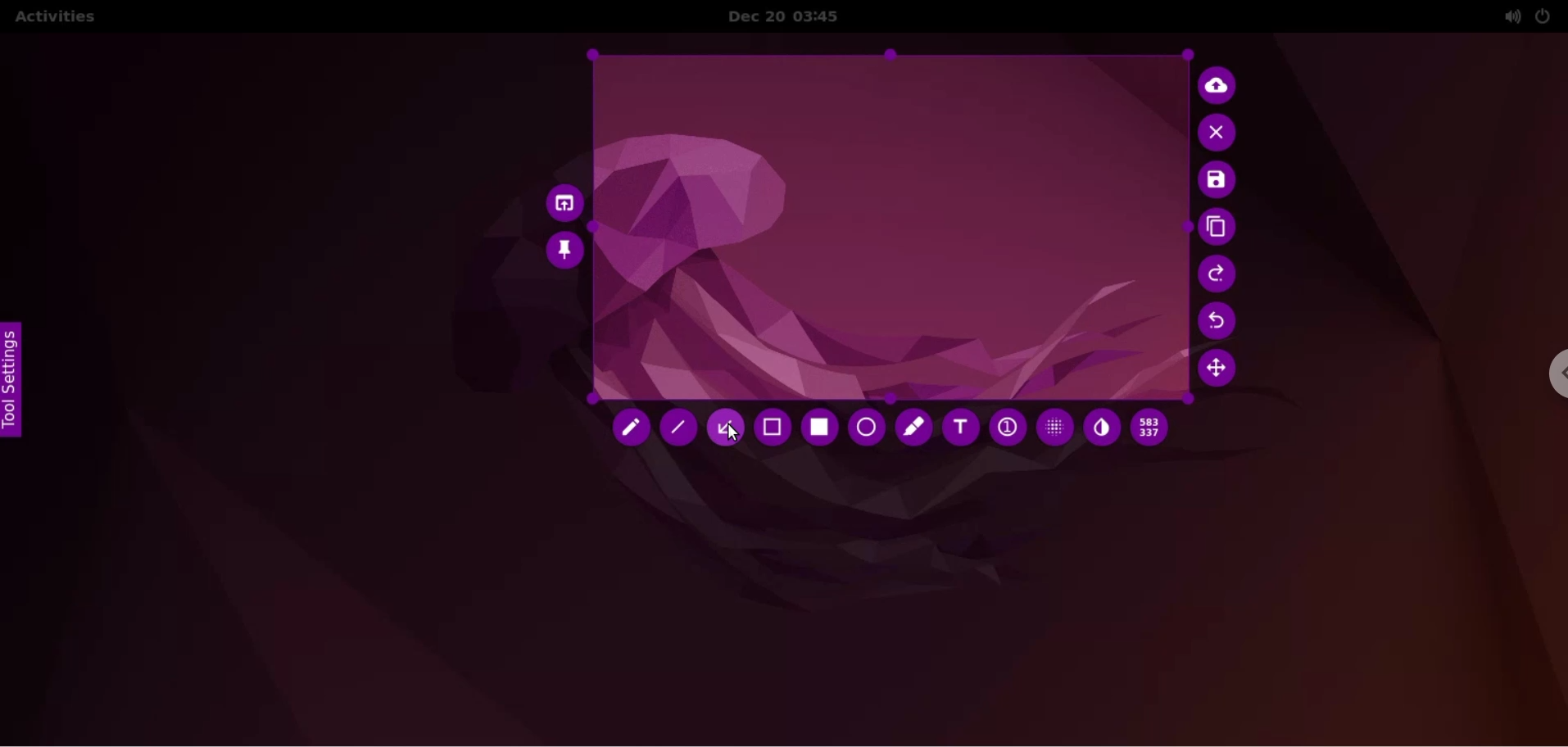 The image size is (1568, 747). I want to click on save, so click(1217, 181).